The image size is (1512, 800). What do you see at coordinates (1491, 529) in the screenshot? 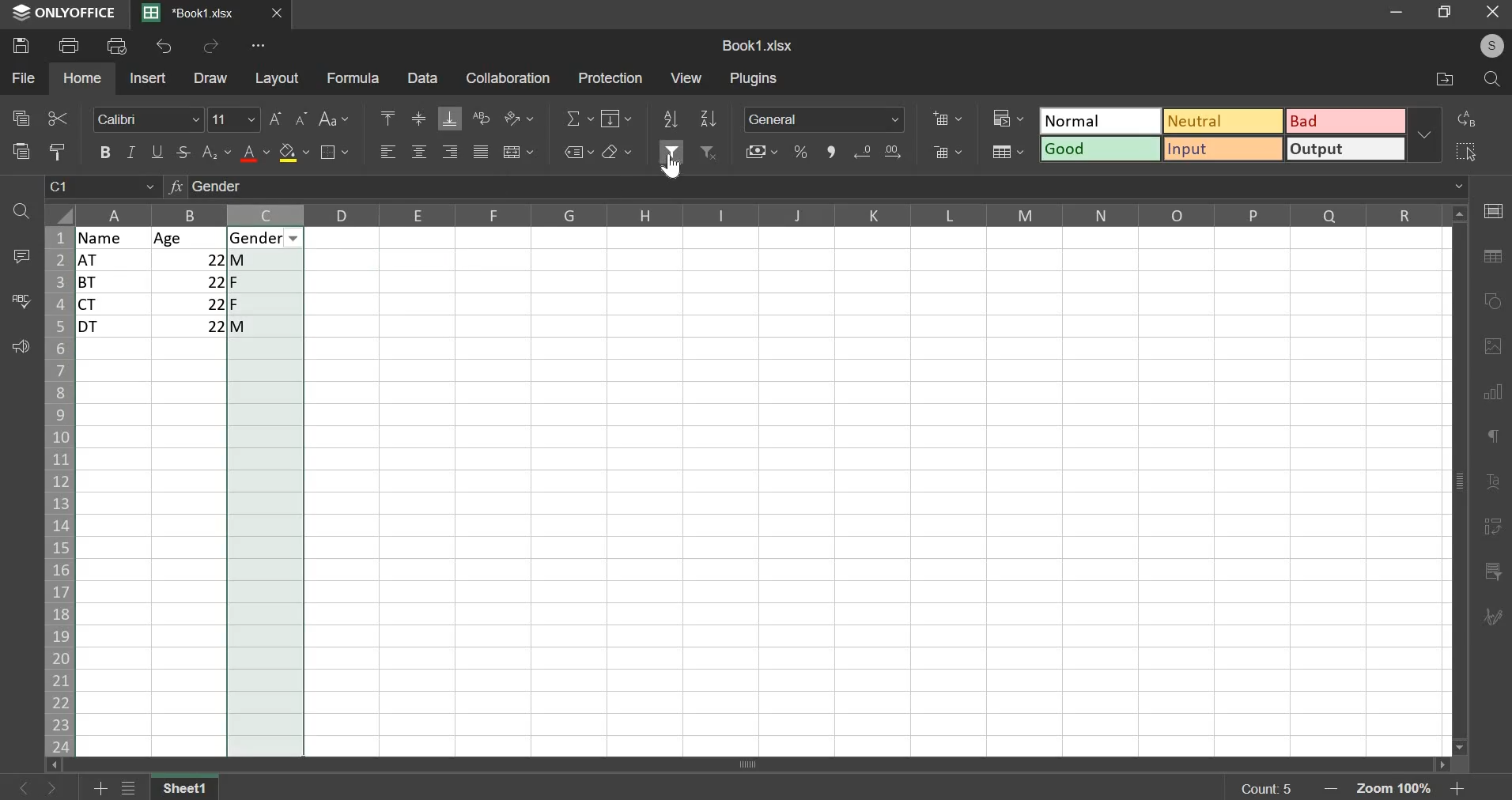
I see `pivot table` at bounding box center [1491, 529].